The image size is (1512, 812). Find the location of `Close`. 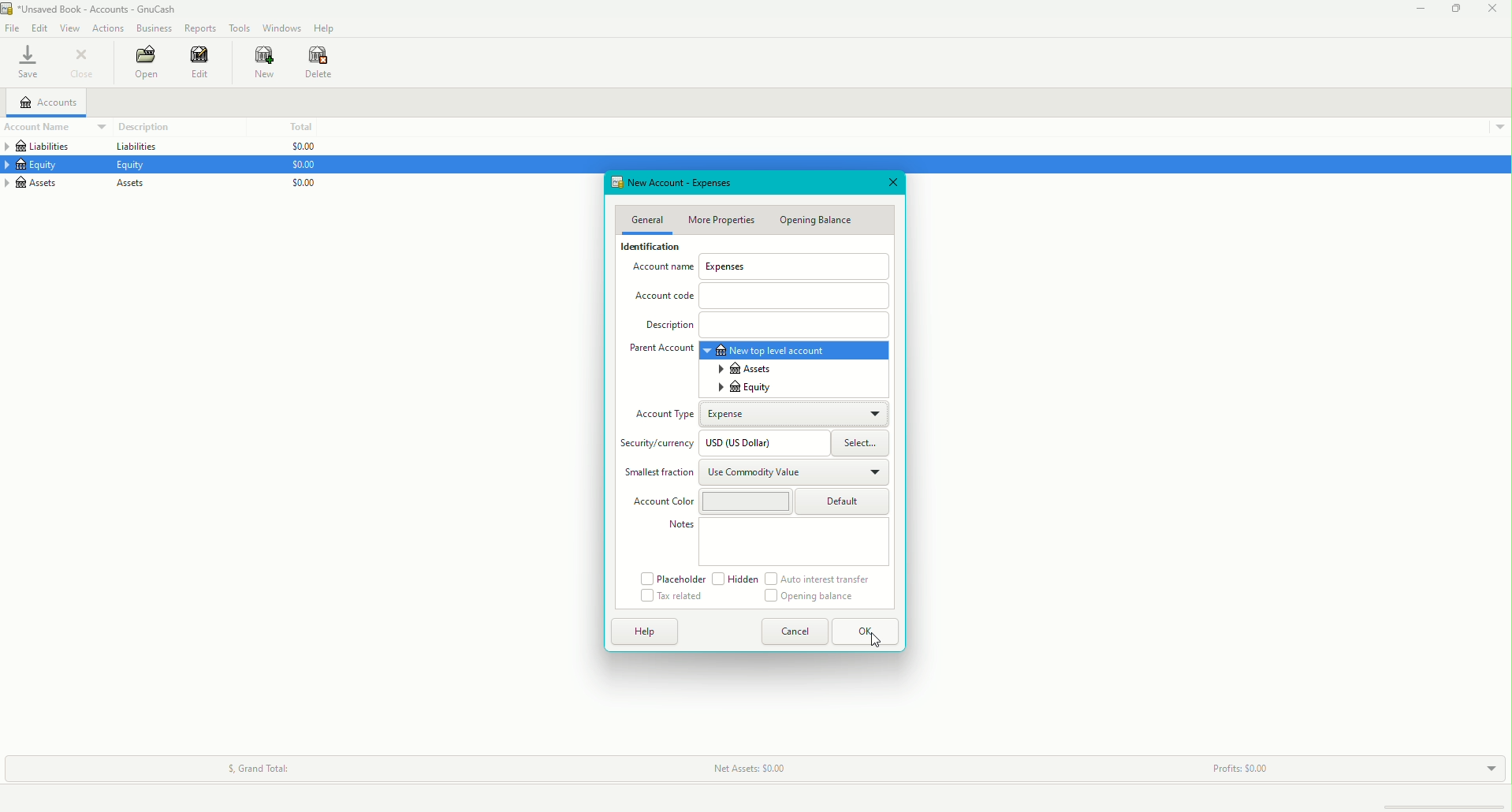

Close is located at coordinates (1494, 10).